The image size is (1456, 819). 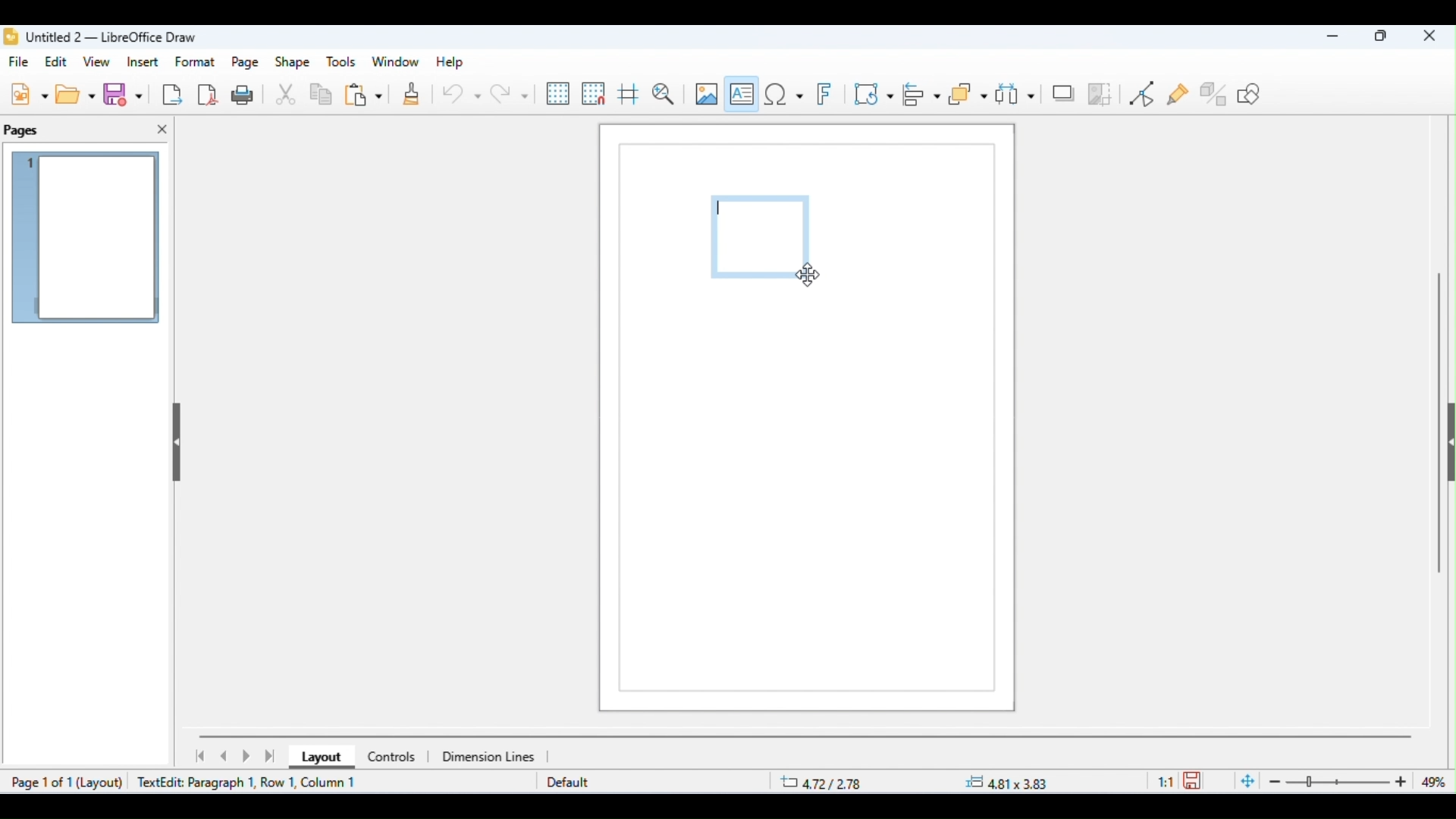 What do you see at coordinates (664, 94) in the screenshot?
I see `zoom and pan` at bounding box center [664, 94].